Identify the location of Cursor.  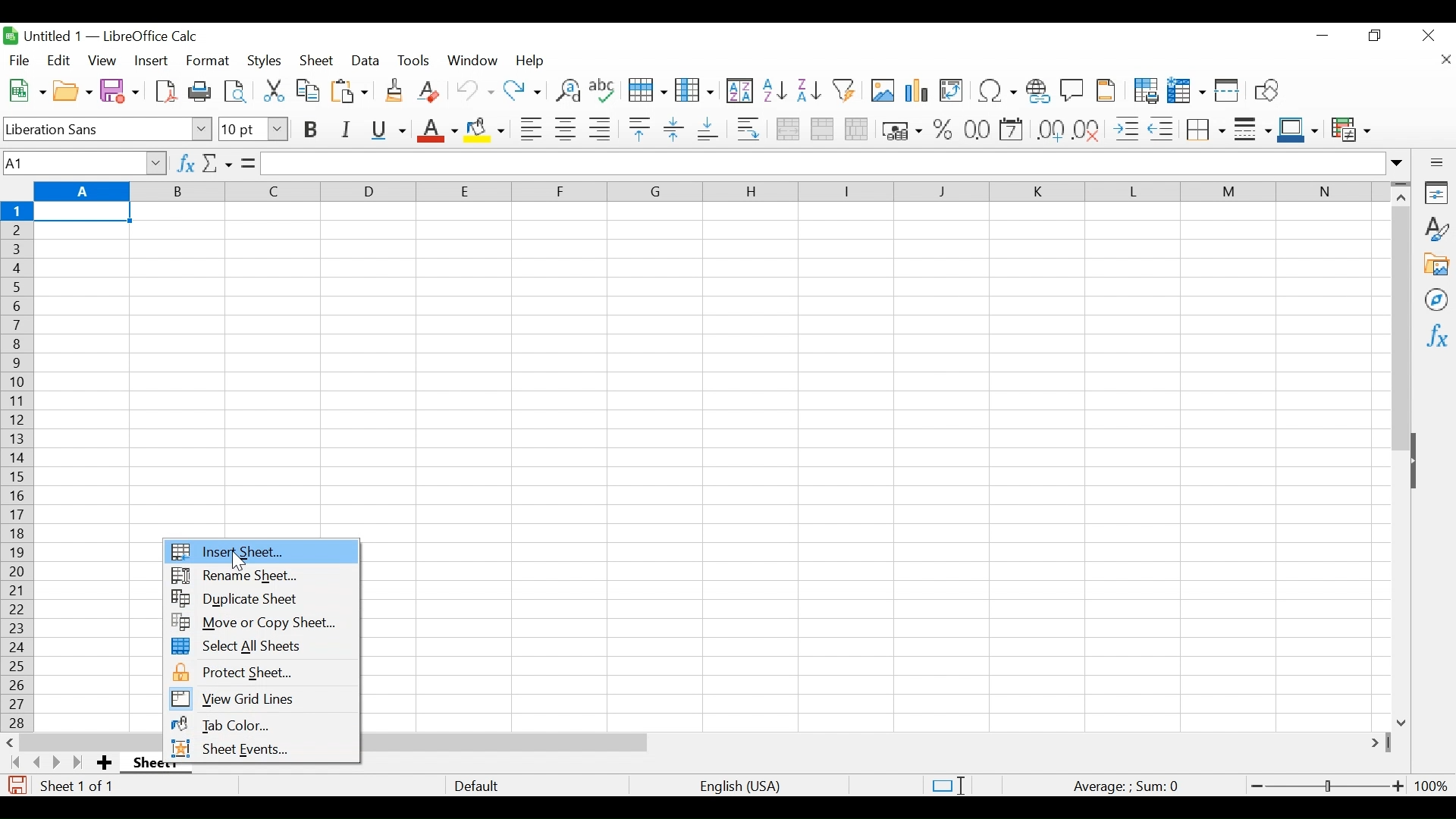
(240, 563).